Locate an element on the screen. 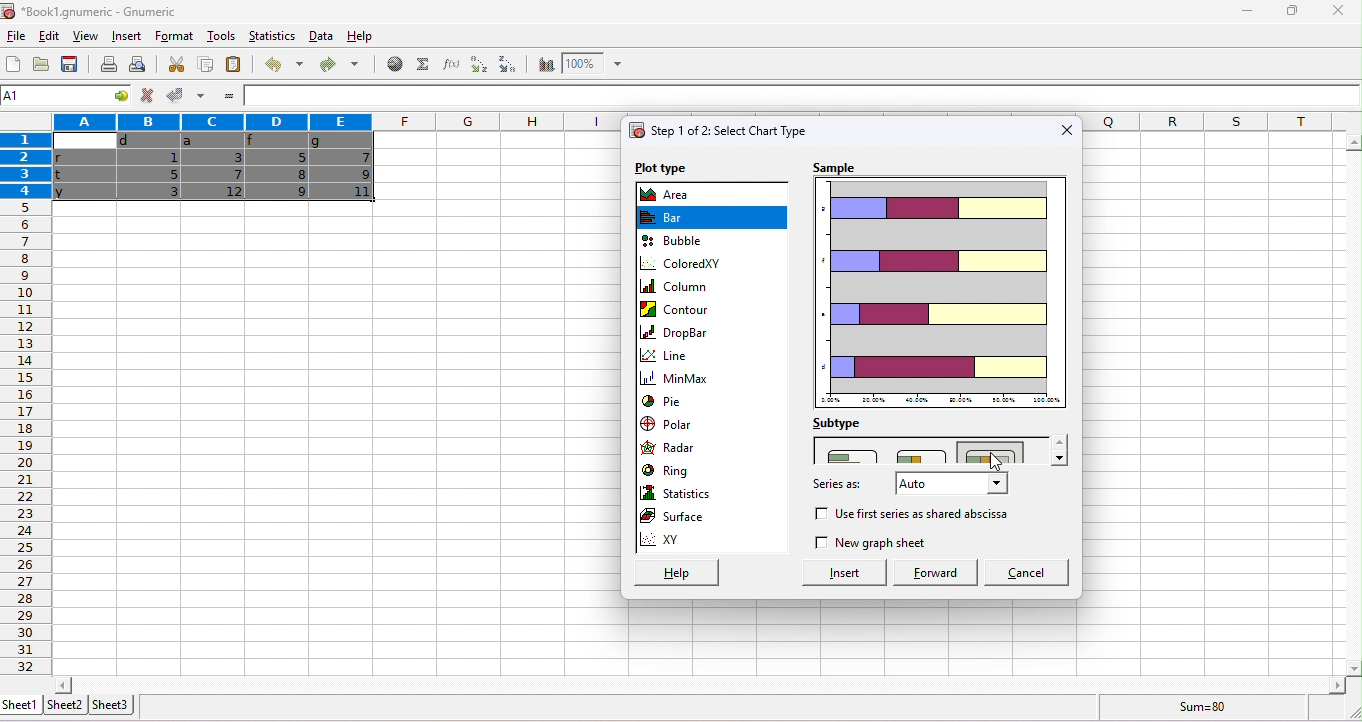 The height and width of the screenshot is (722, 1362). undo is located at coordinates (282, 63).